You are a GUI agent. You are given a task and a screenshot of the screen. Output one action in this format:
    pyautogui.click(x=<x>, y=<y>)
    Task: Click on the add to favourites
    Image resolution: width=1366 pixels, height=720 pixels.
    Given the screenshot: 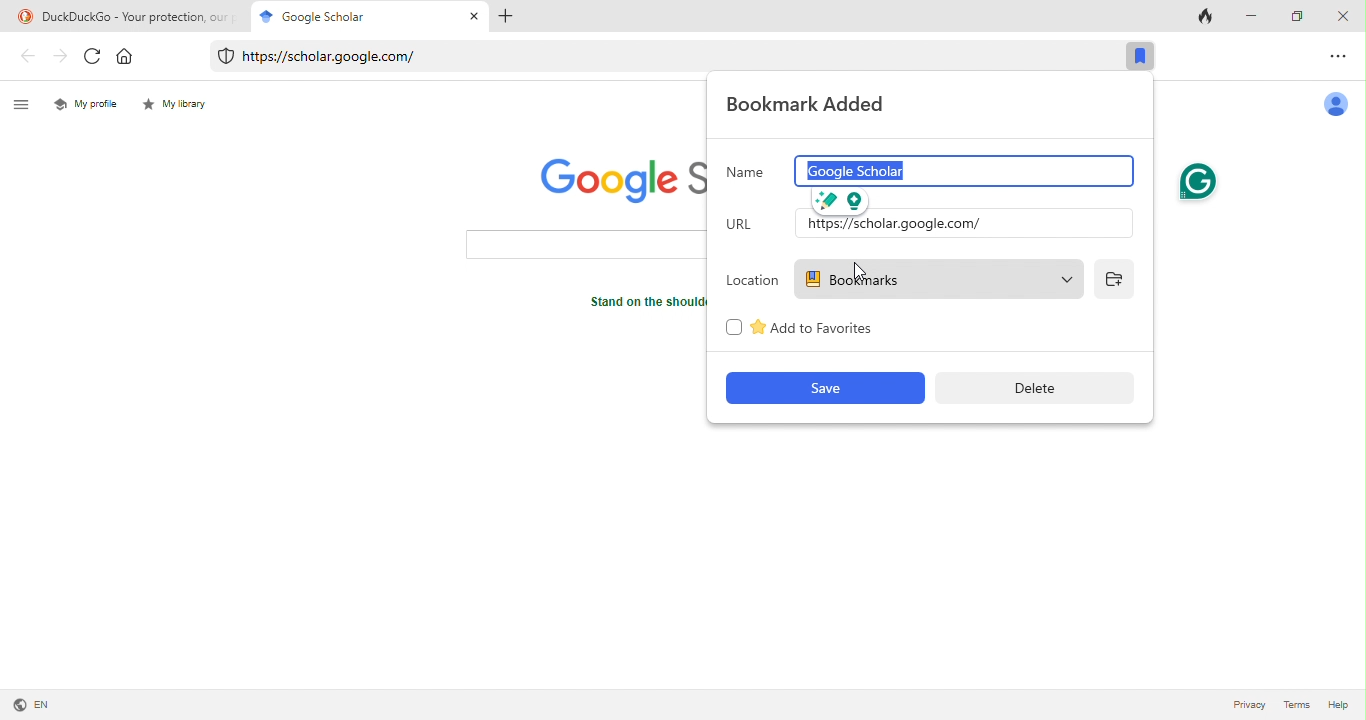 What is the action you would take?
    pyautogui.click(x=804, y=327)
    